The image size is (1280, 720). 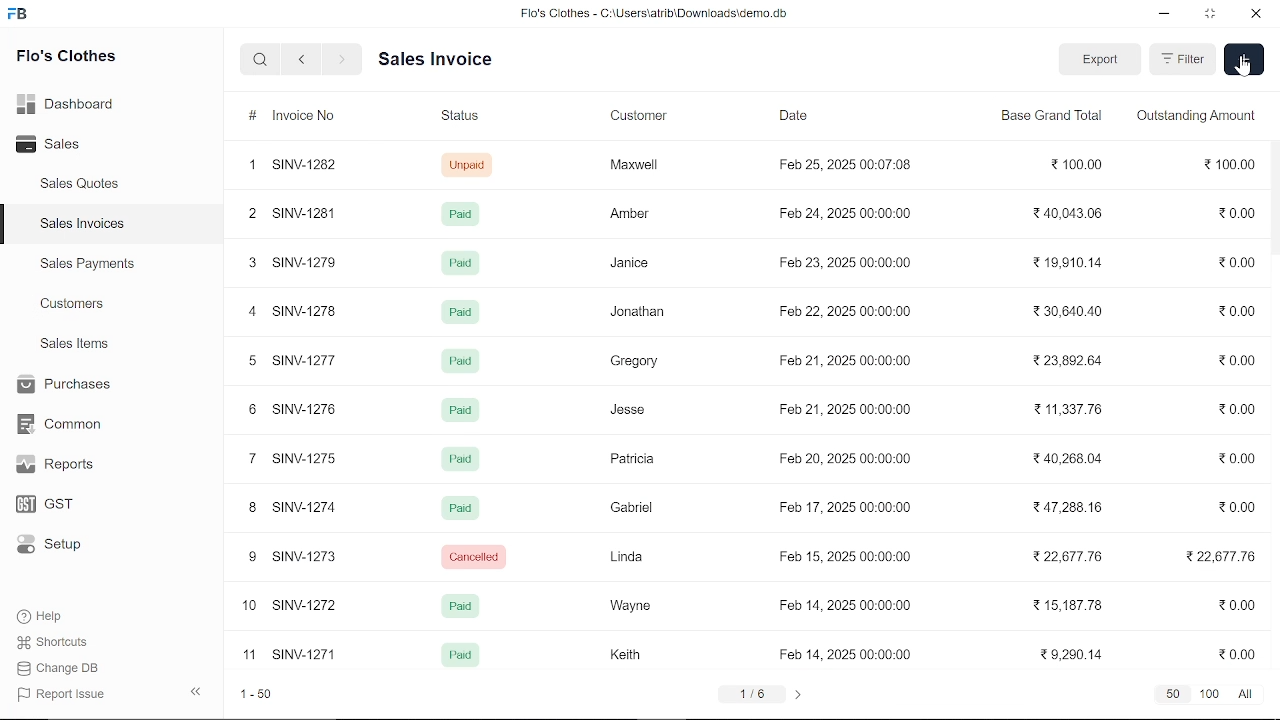 What do you see at coordinates (752, 359) in the screenshot?
I see `5 SINV-1277 Pad Gregory Feb 21, 2025 00:00:00 2389264 20.00` at bounding box center [752, 359].